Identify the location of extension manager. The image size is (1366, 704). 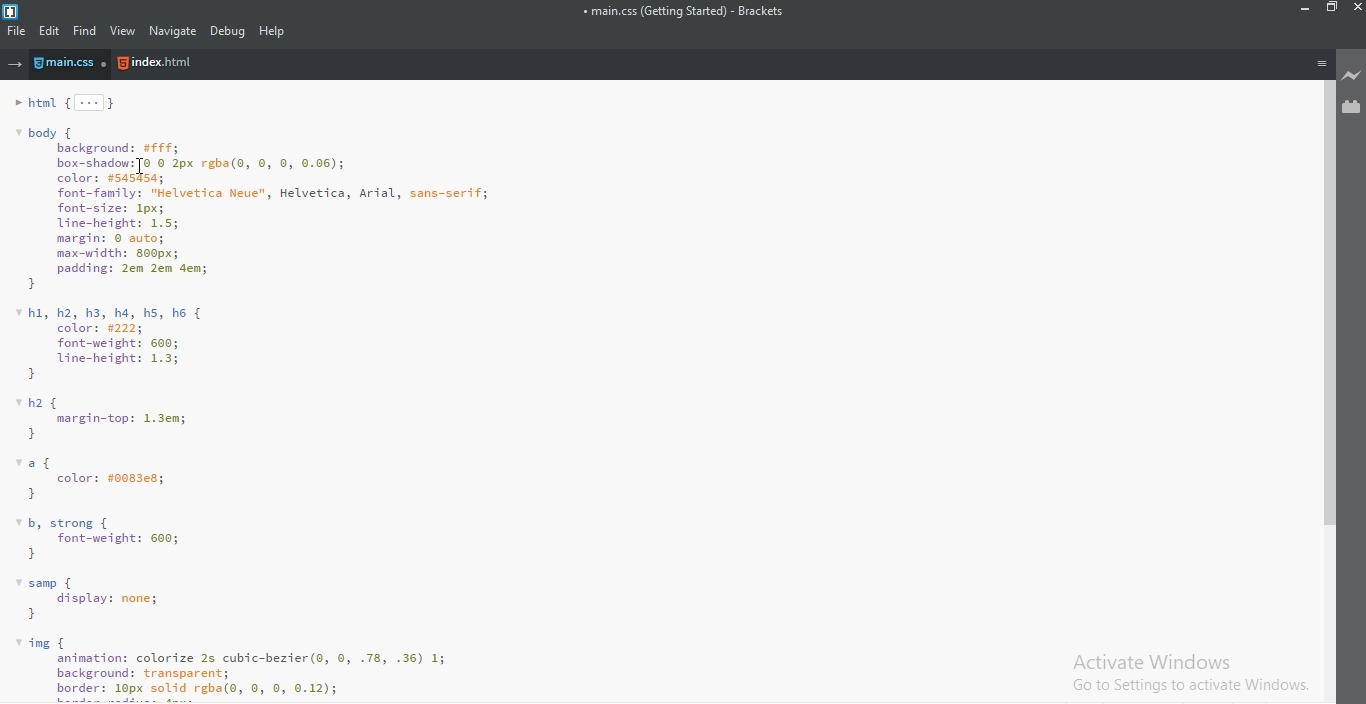
(1352, 107).